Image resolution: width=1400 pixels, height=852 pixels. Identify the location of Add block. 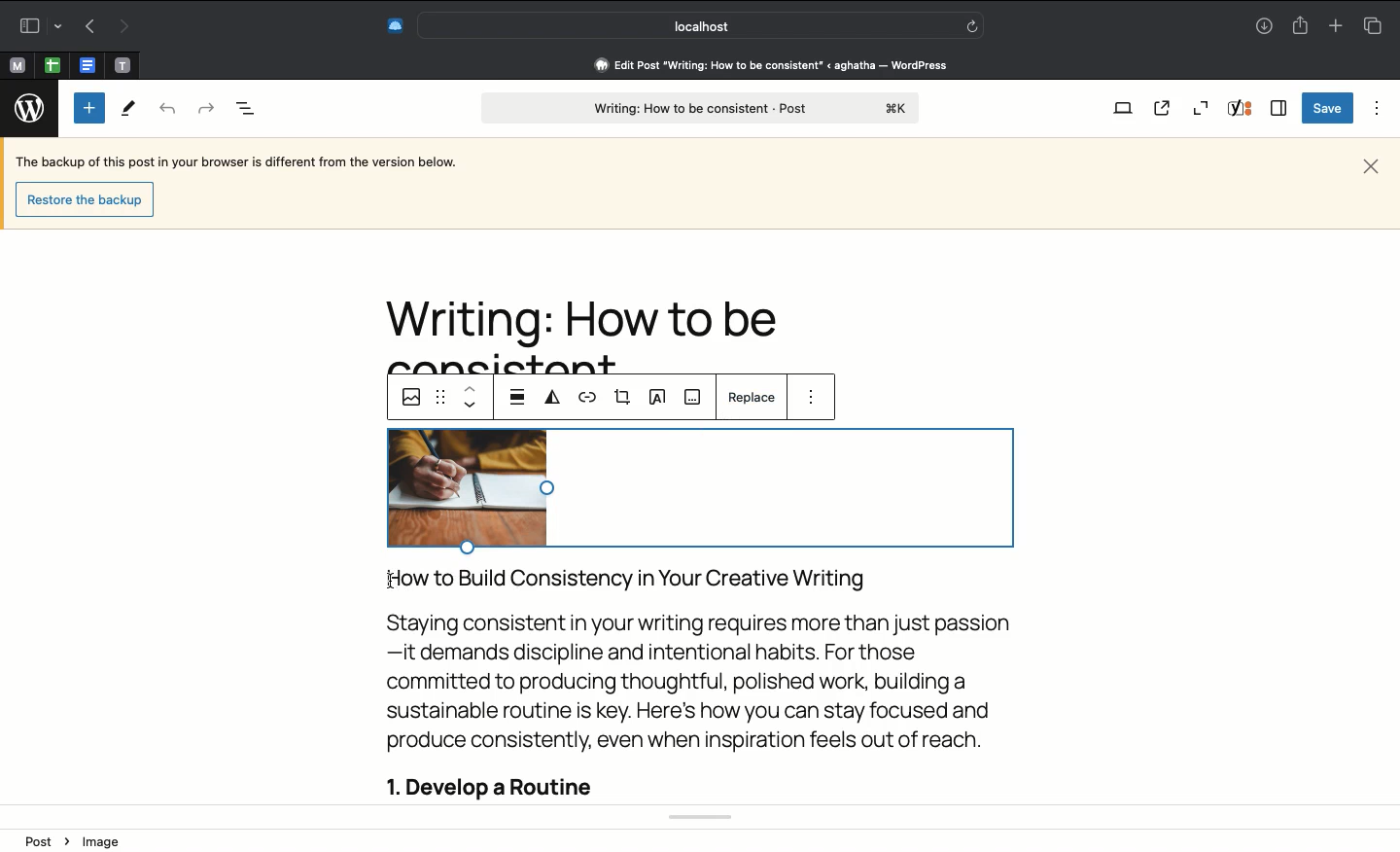
(87, 108).